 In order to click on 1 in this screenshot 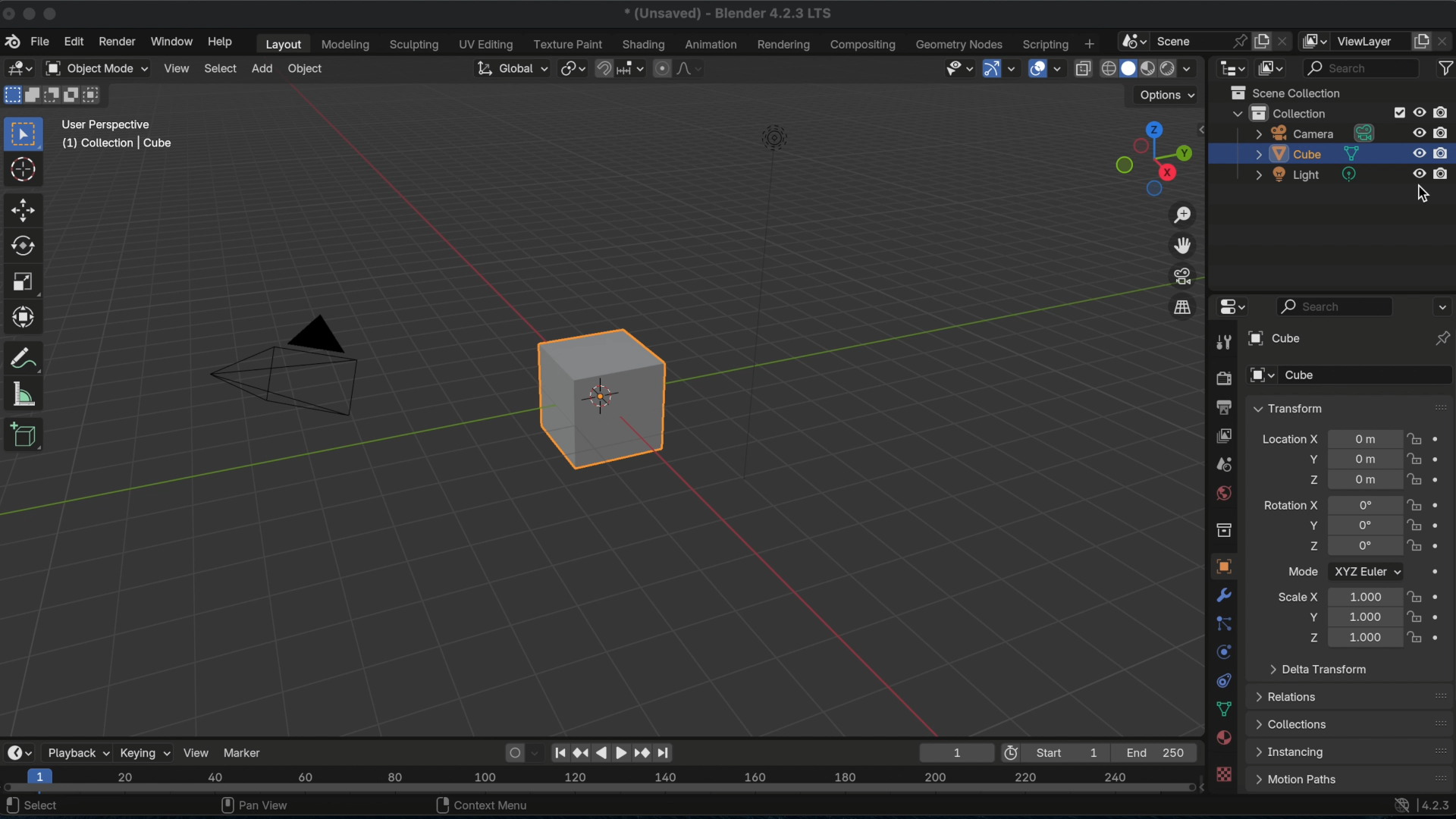, I will do `click(955, 752)`.